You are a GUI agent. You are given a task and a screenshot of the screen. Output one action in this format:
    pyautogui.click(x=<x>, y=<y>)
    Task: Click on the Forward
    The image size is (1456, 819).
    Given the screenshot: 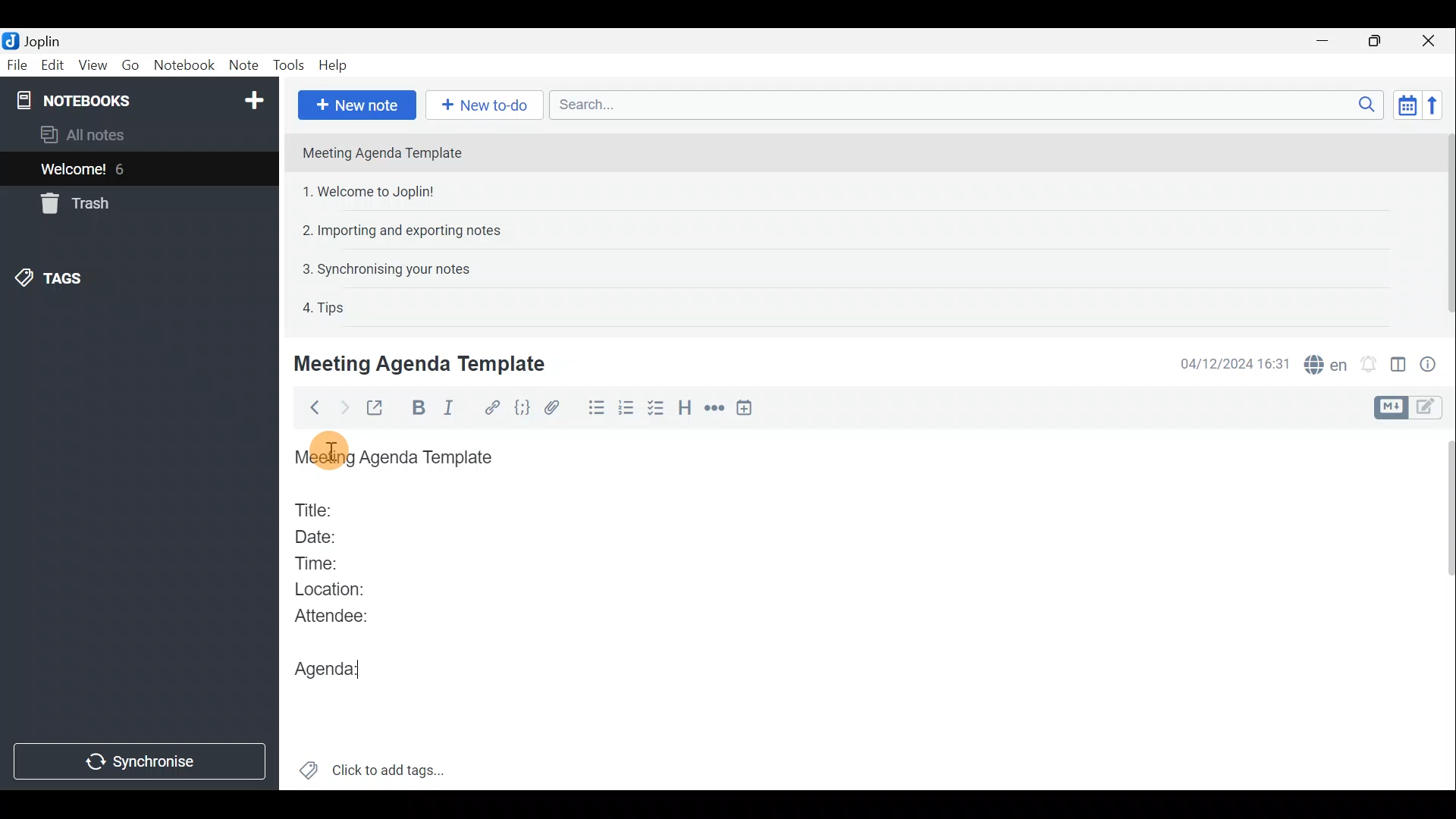 What is the action you would take?
    pyautogui.click(x=342, y=407)
    